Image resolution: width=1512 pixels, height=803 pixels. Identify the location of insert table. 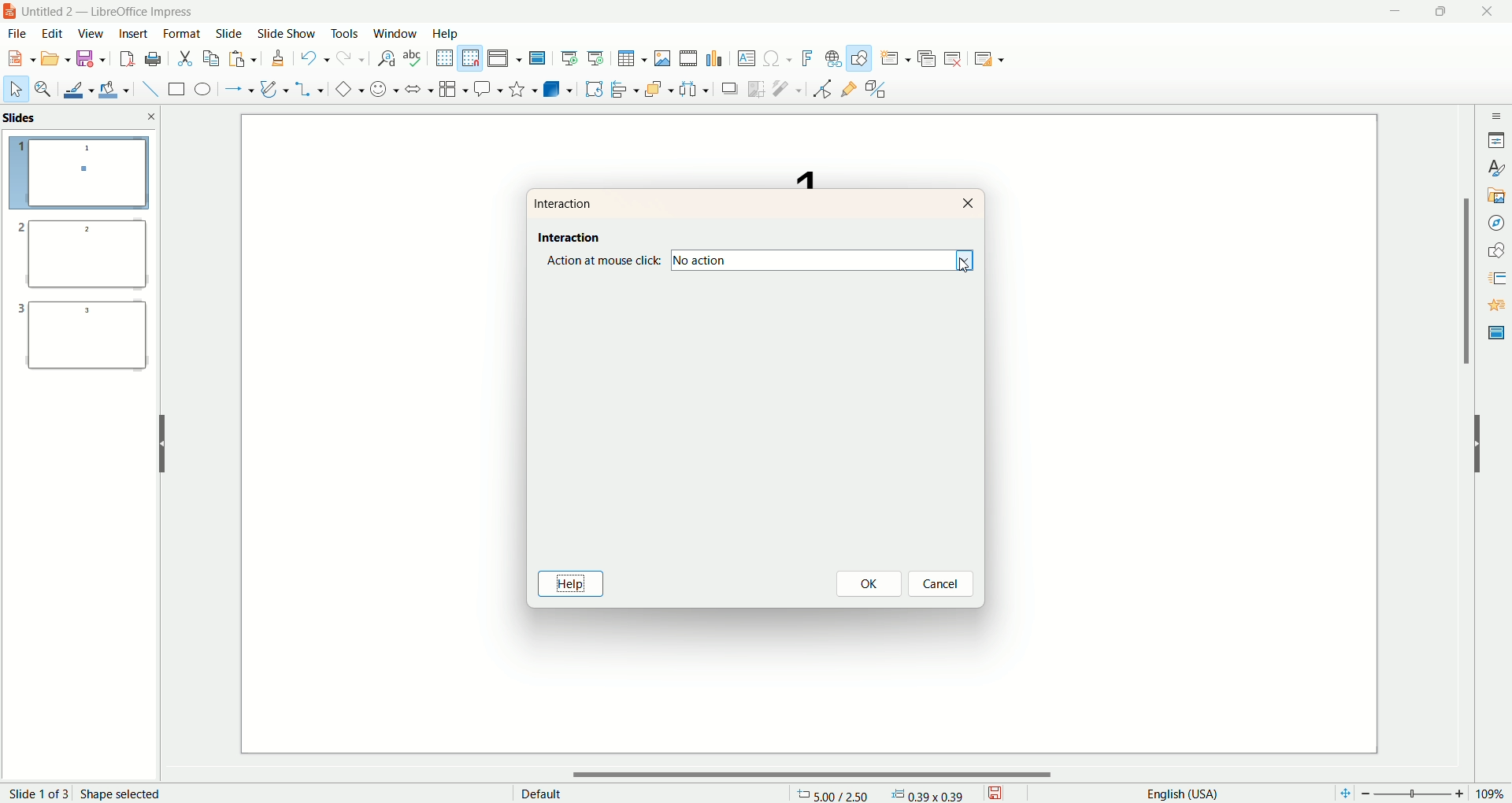
(632, 58).